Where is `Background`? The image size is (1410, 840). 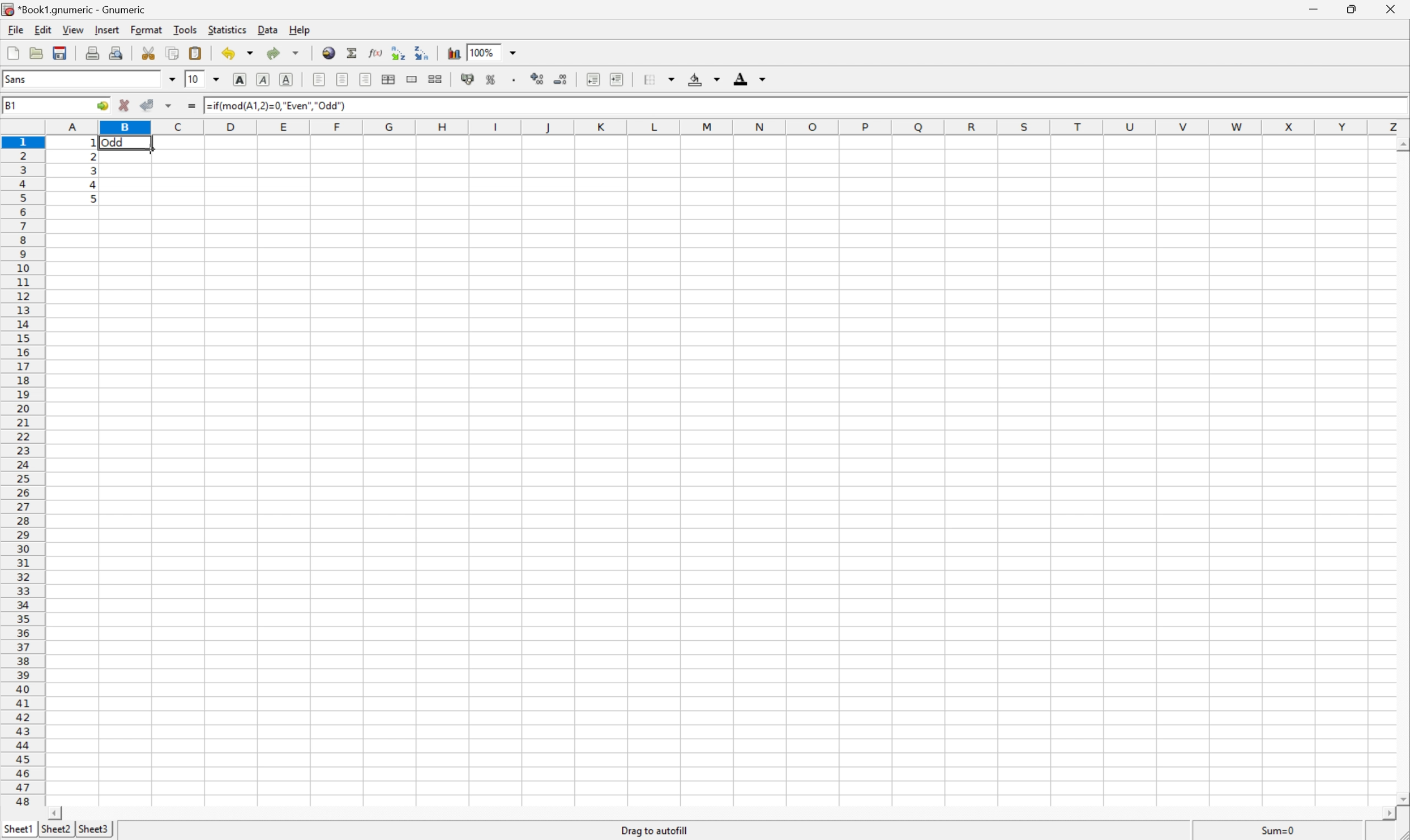
Background is located at coordinates (704, 78).